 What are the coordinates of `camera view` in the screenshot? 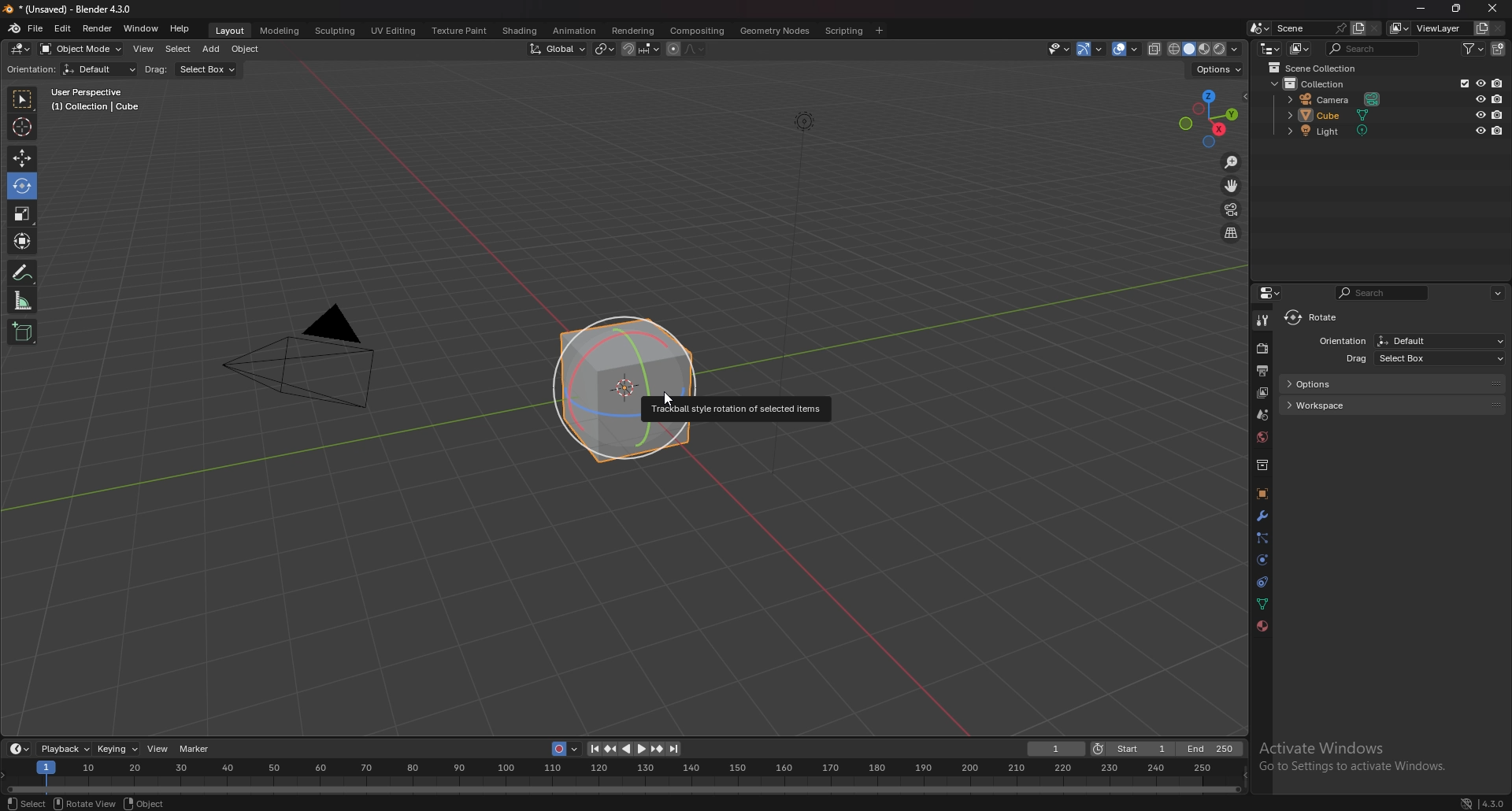 It's located at (1232, 209).